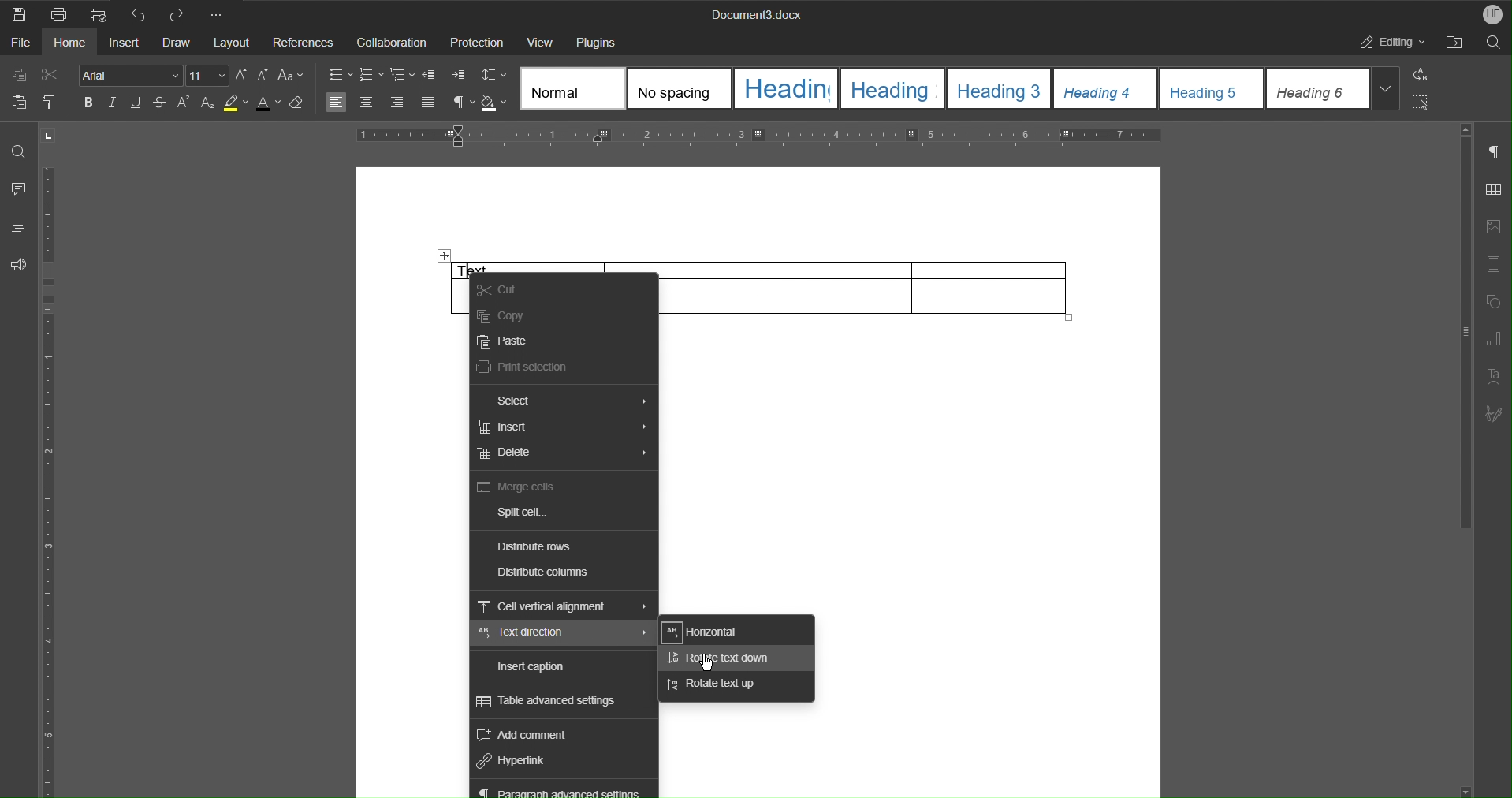 The height and width of the screenshot is (798, 1512). Describe the element at coordinates (758, 13) in the screenshot. I see `Document3.docx` at that location.